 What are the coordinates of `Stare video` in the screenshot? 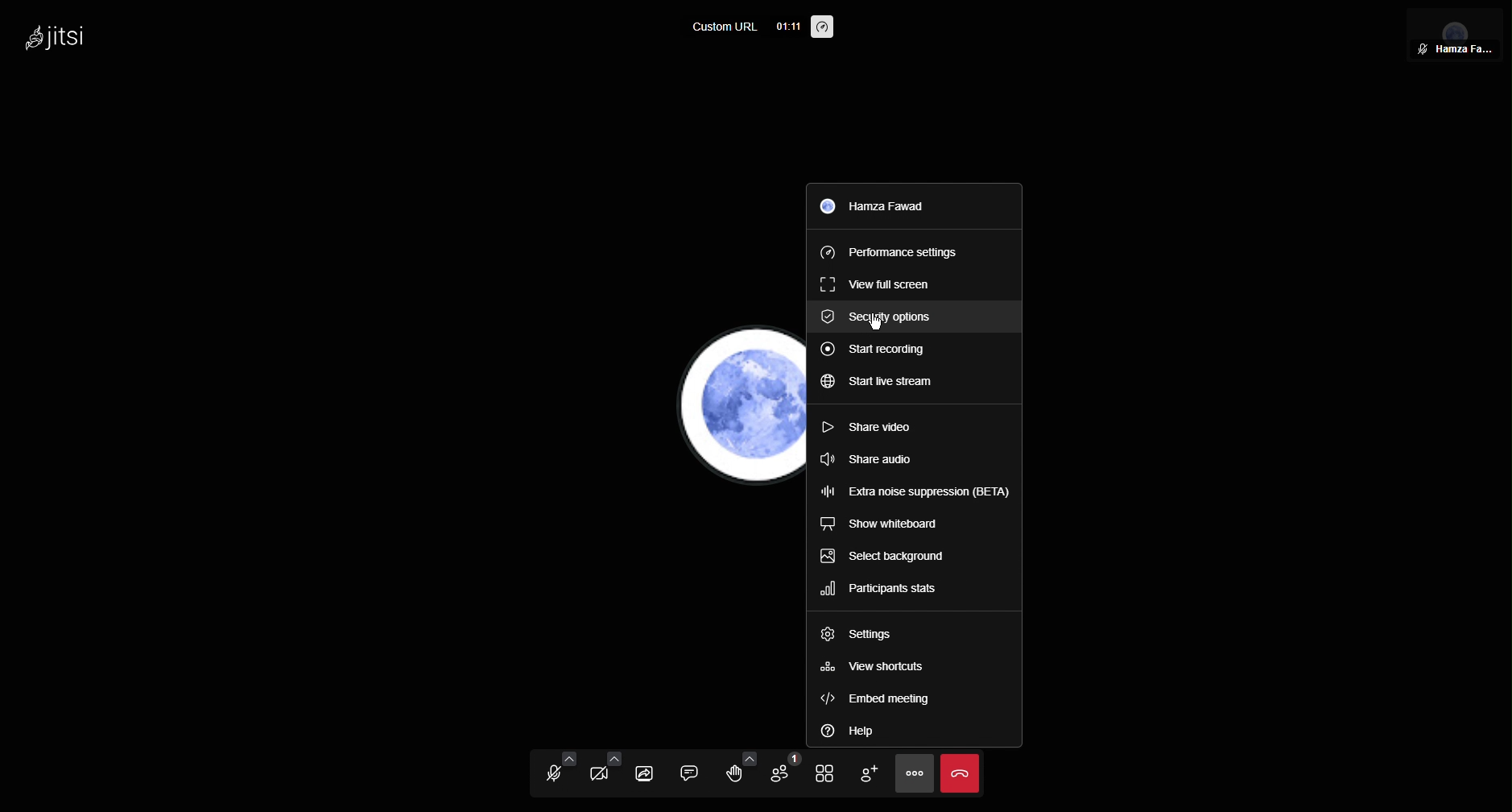 It's located at (882, 426).